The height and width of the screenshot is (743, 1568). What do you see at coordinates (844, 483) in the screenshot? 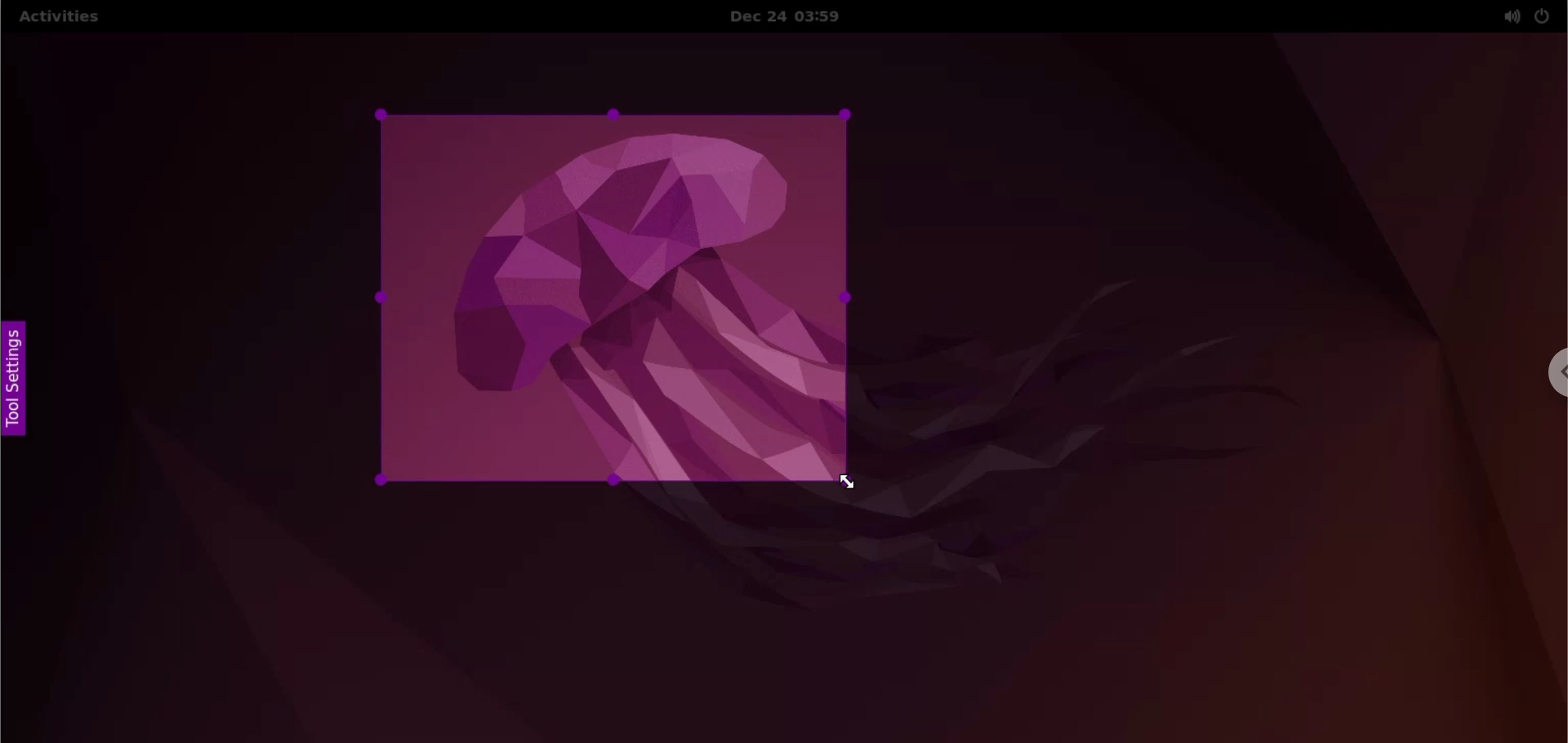
I see `cursor ` at bounding box center [844, 483].